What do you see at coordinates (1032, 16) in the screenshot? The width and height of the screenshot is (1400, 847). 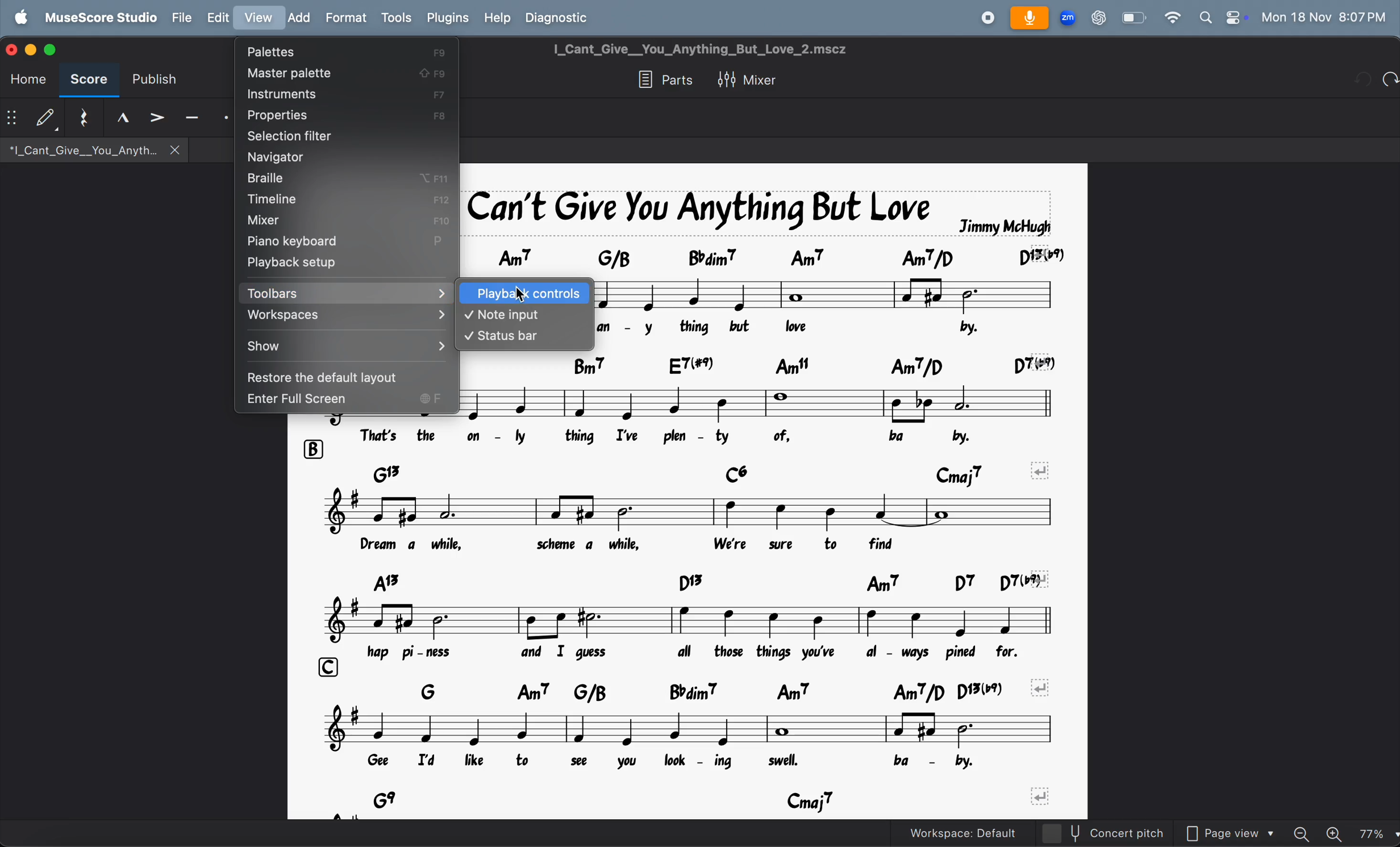 I see `microphone` at bounding box center [1032, 16].